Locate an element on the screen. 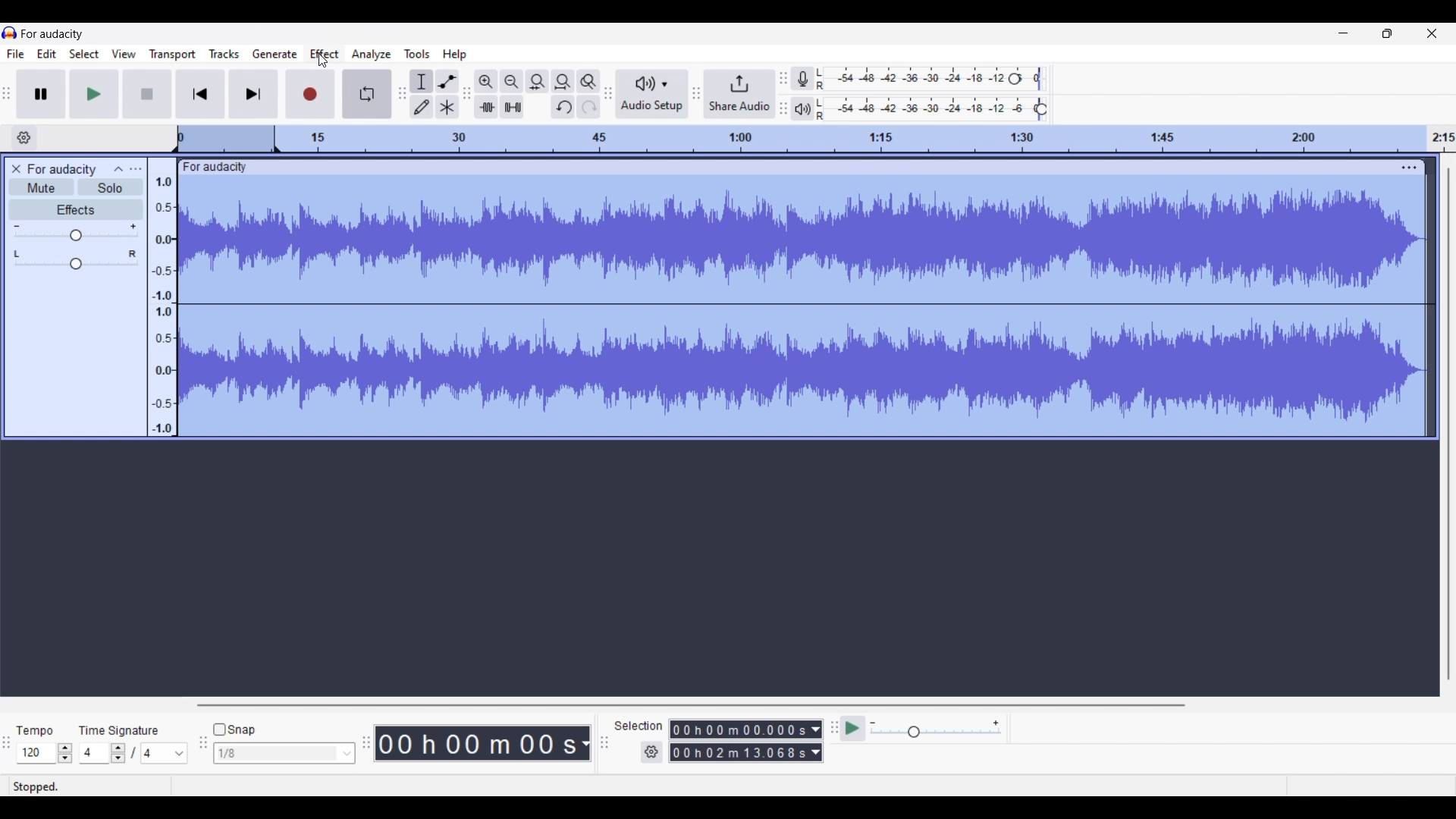  Undo is located at coordinates (563, 106).